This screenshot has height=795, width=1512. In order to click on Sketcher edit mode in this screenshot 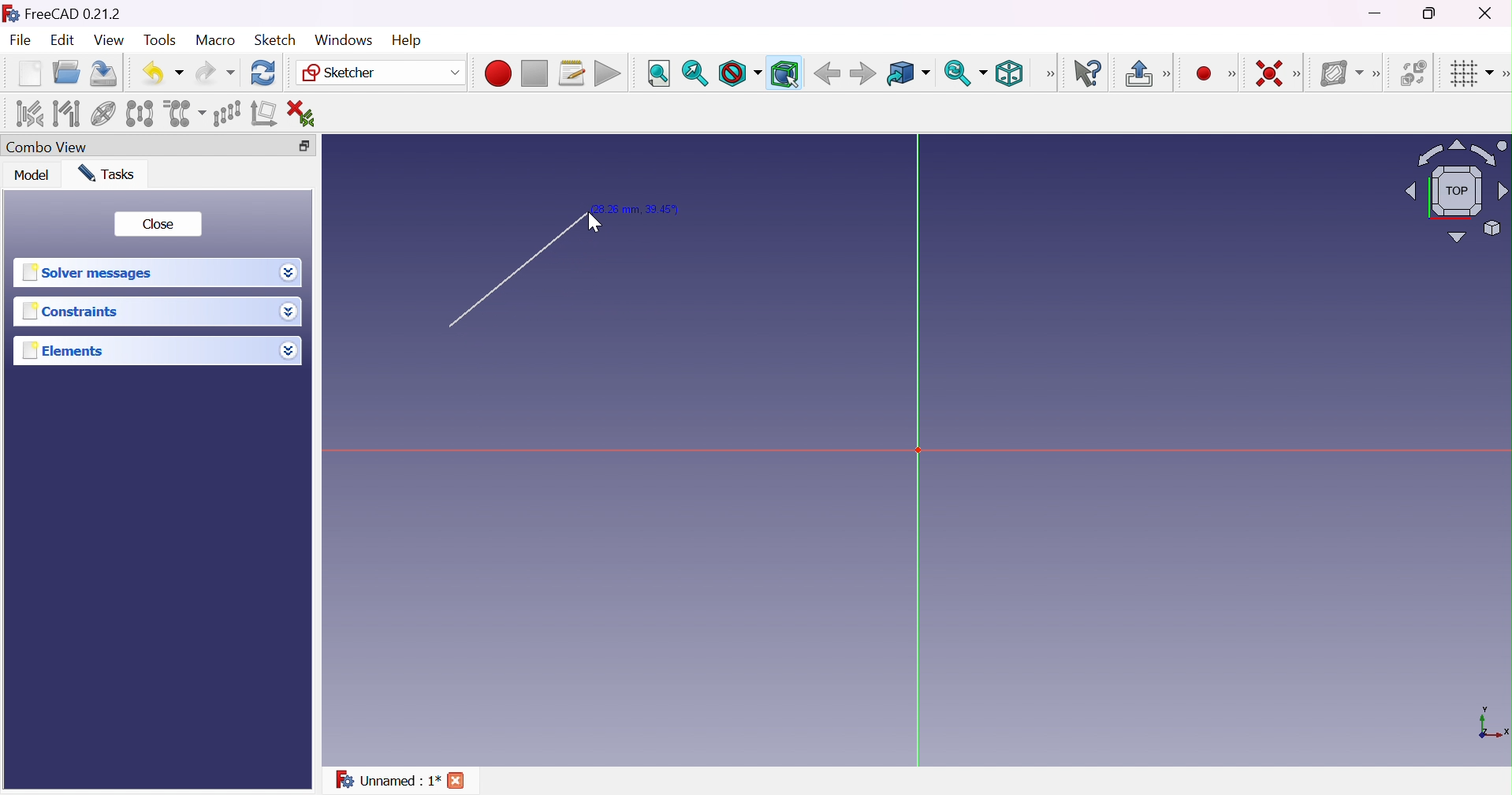, I will do `click(1168, 75)`.